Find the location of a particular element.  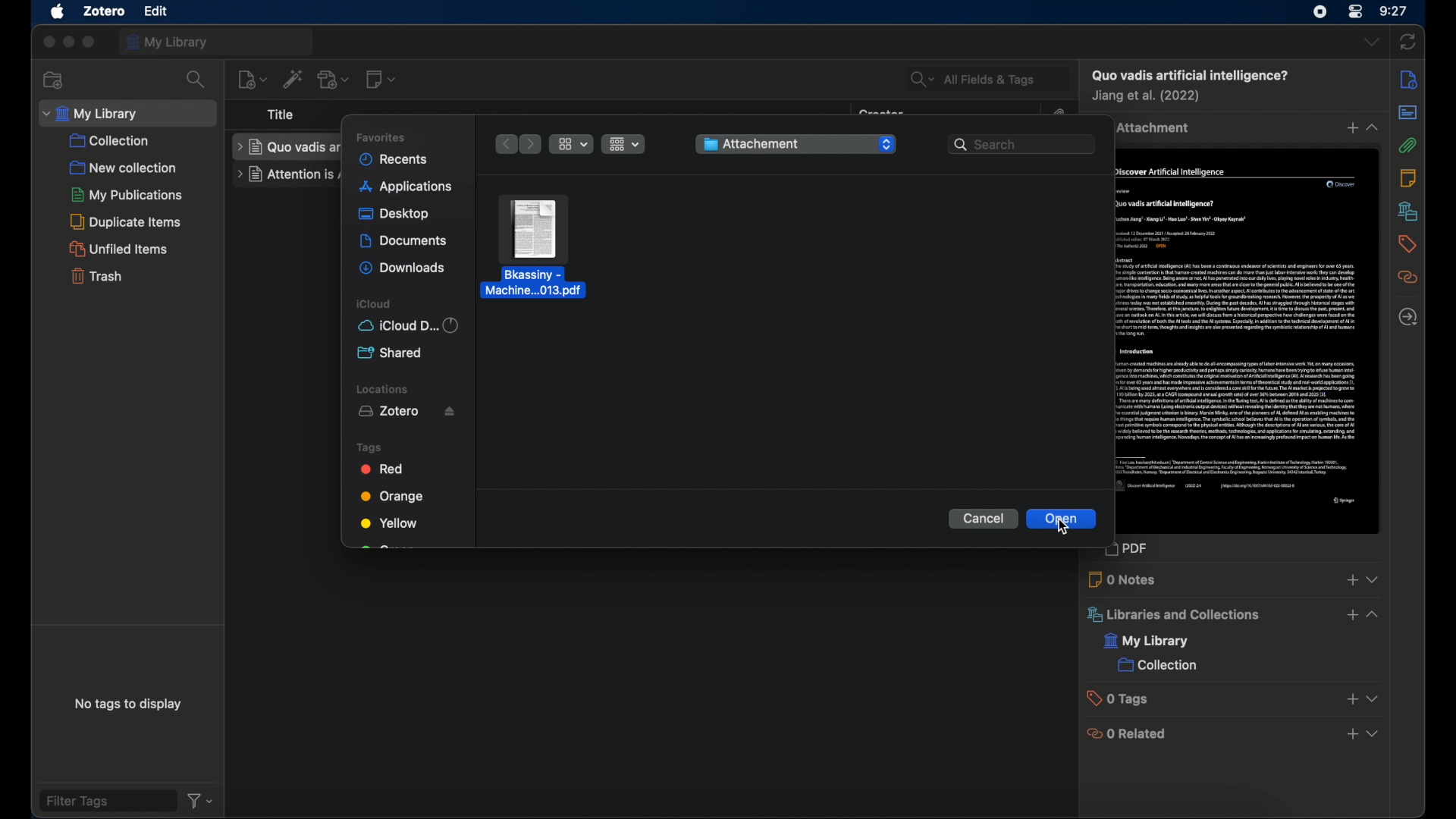

add items by identifier is located at coordinates (293, 78).